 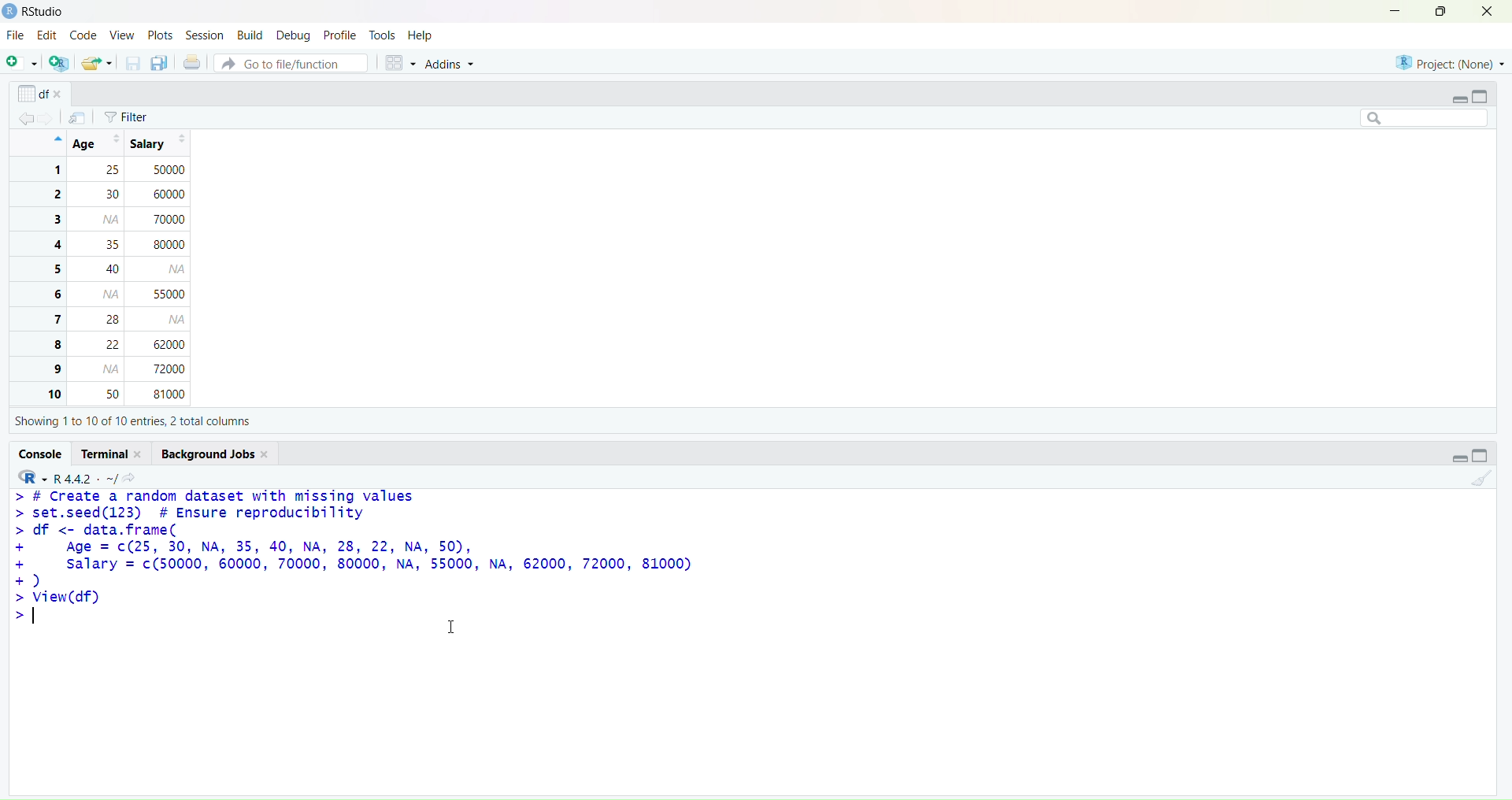 I want to click on Showing 1 to 10 of 10 entries, 2 total columns, so click(x=129, y=420).